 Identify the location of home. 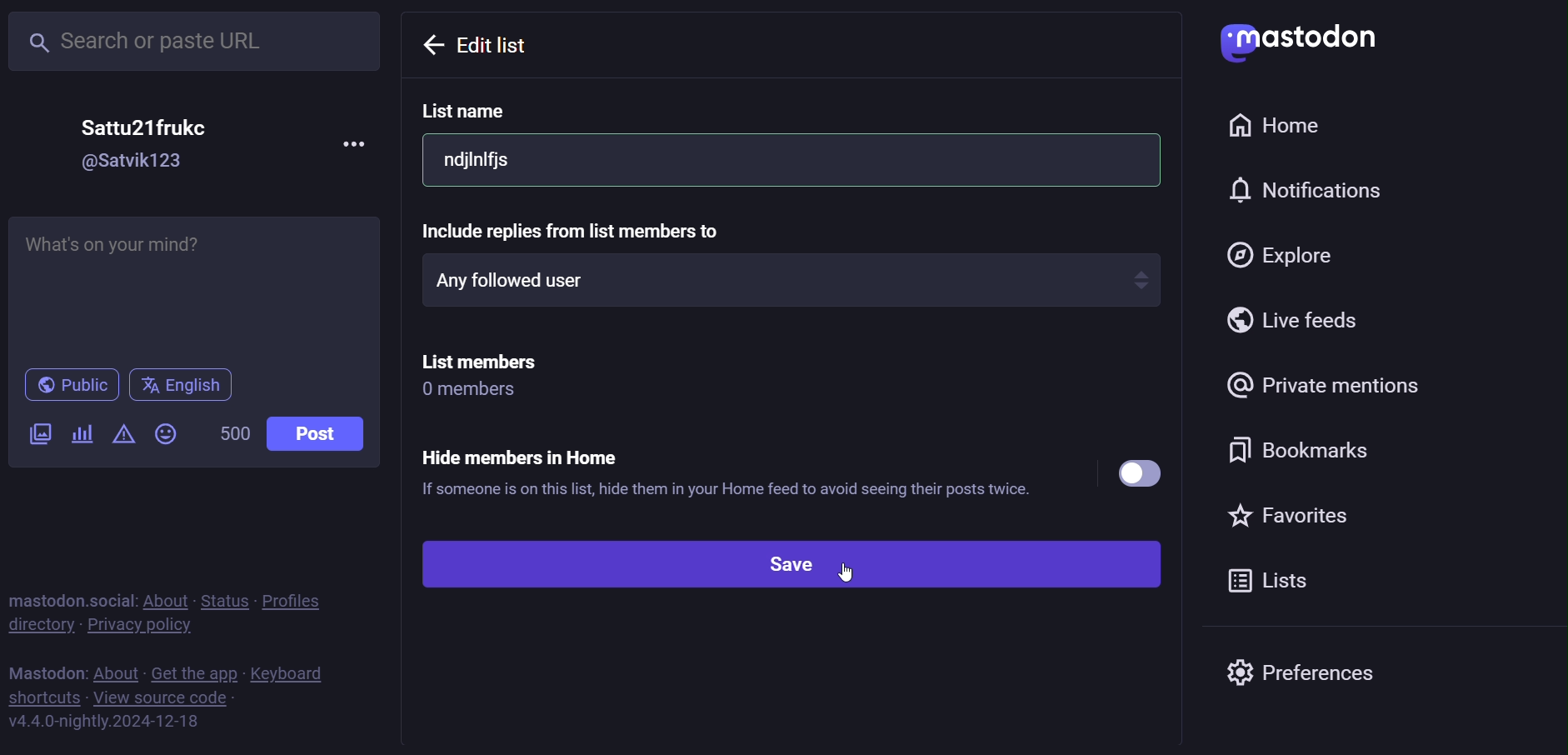
(1286, 127).